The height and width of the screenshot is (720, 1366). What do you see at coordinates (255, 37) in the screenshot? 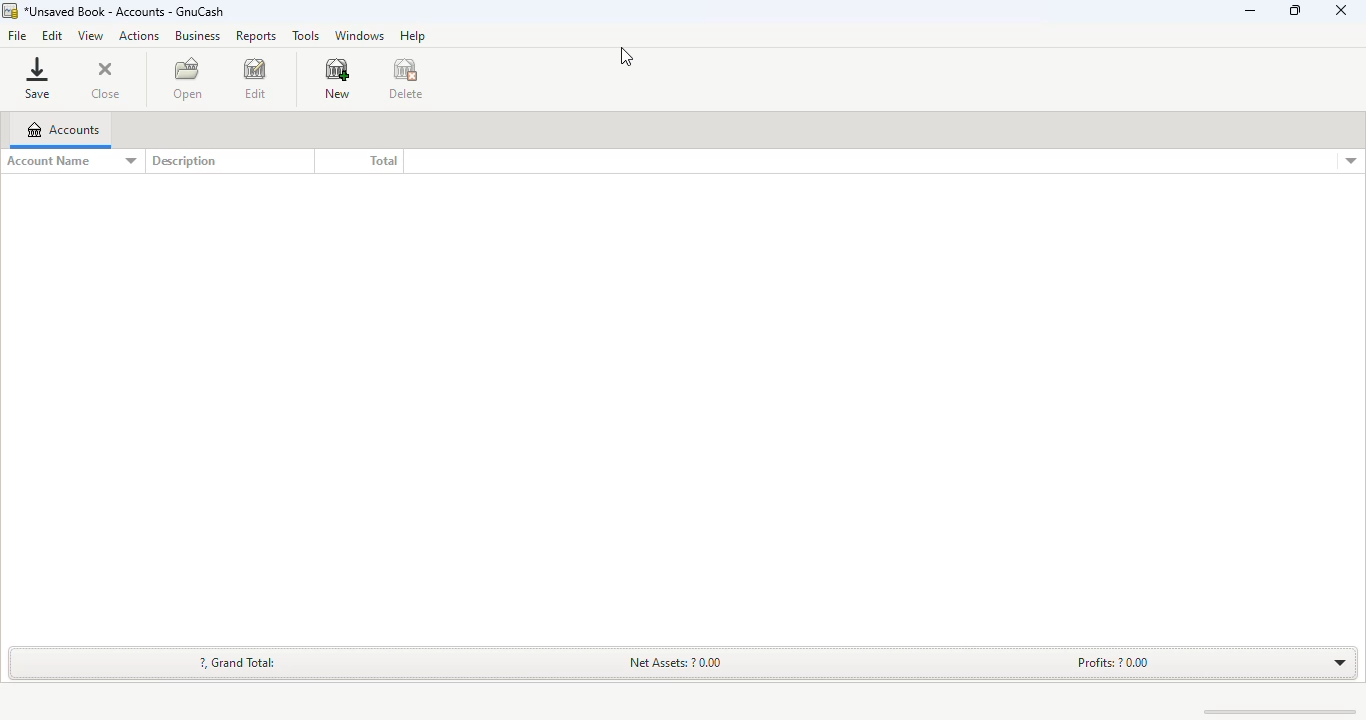
I see `reports` at bounding box center [255, 37].